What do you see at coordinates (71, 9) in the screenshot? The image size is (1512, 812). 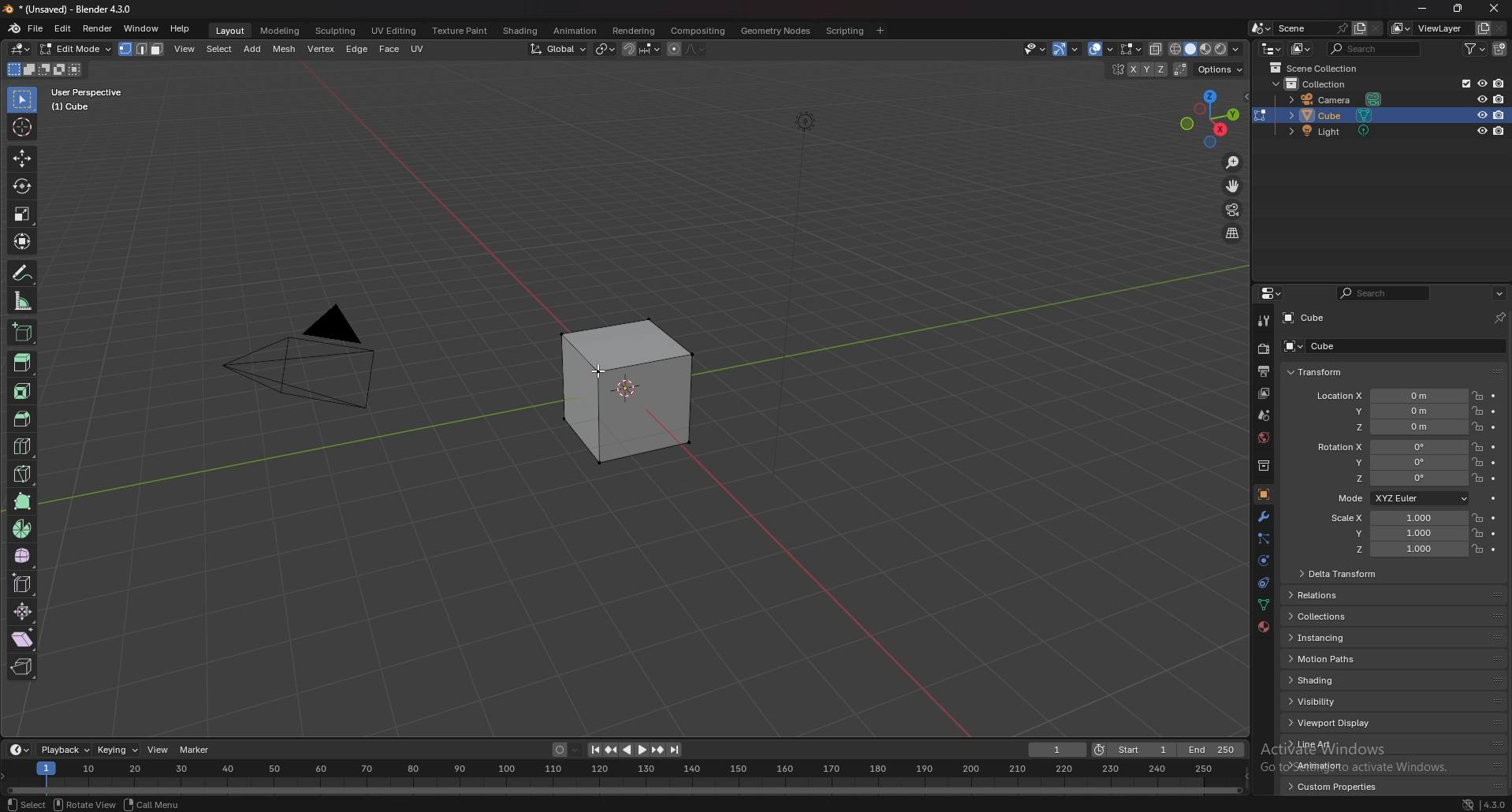 I see `title` at bounding box center [71, 9].